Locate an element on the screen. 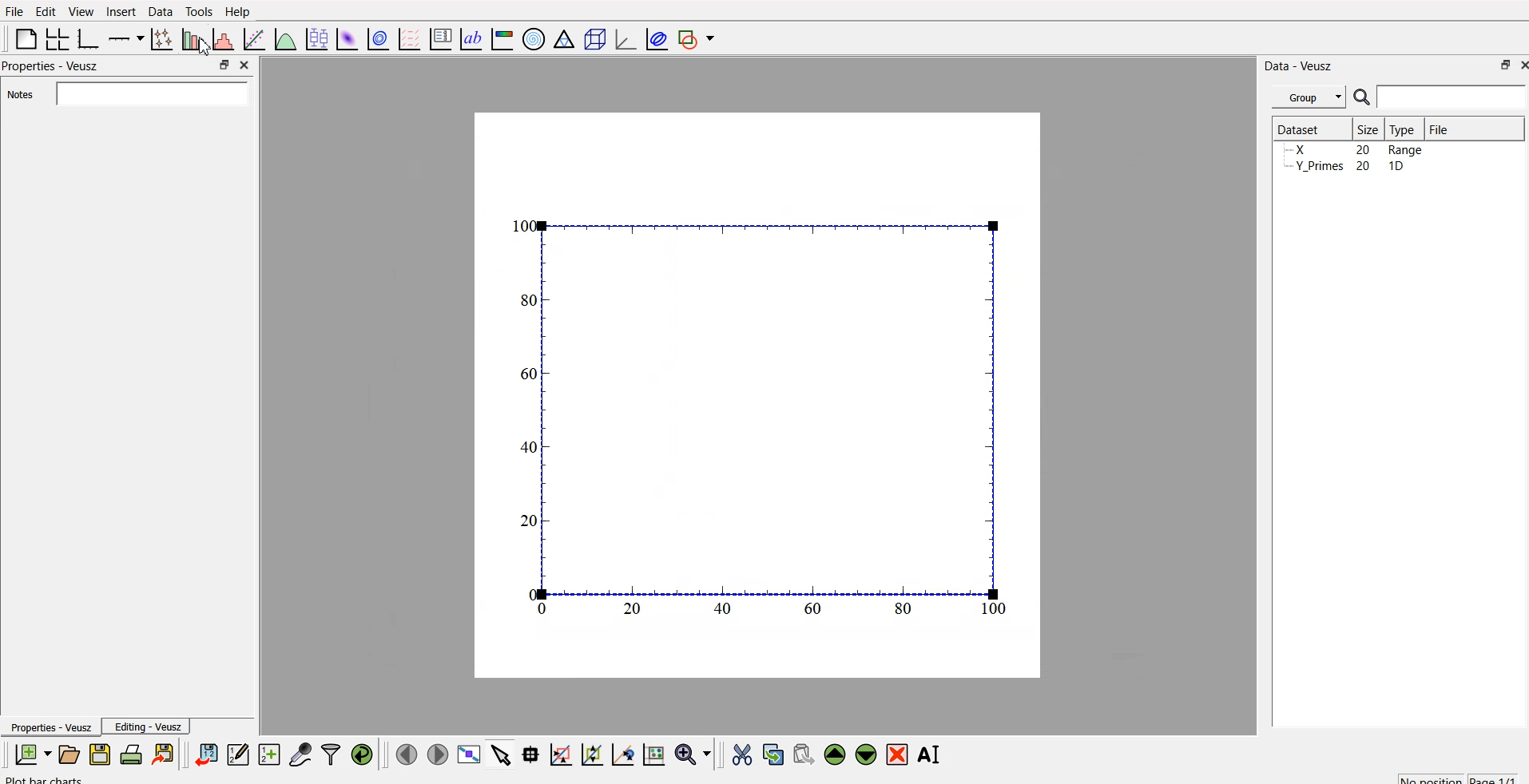 The height and width of the screenshot is (784, 1529). move up the widget is located at coordinates (833, 754).